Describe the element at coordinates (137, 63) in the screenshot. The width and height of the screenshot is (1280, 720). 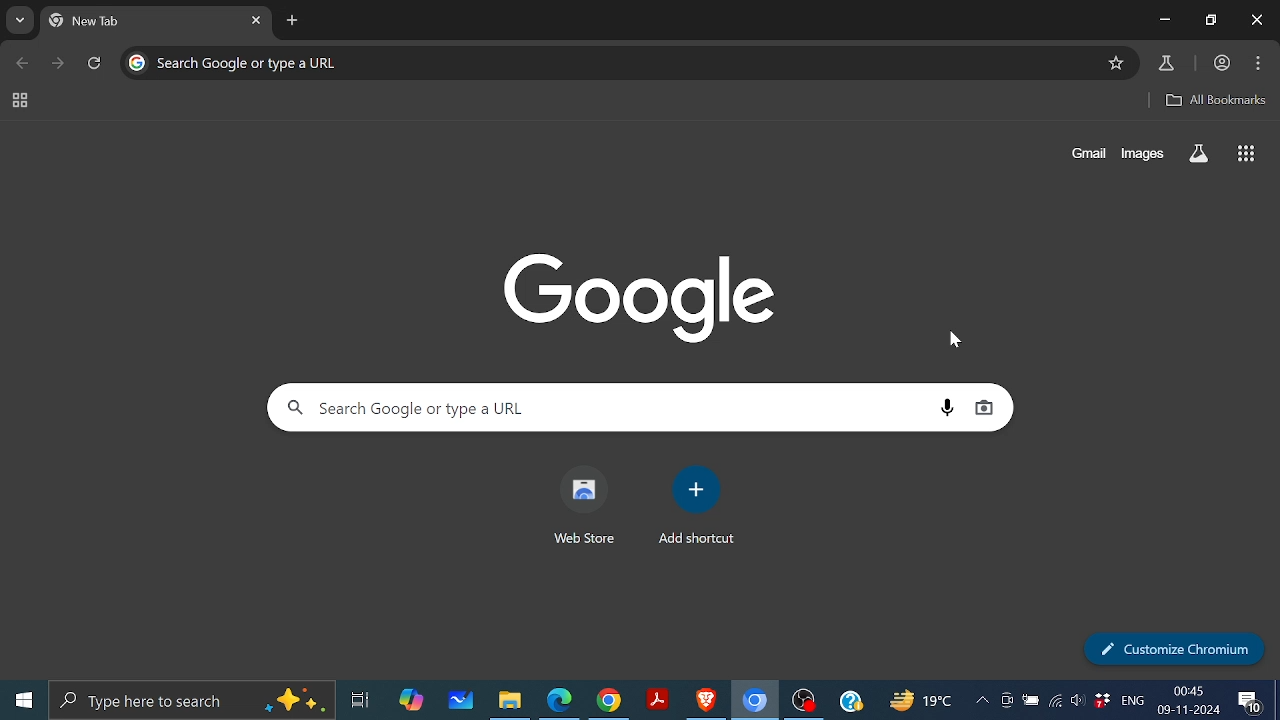
I see `Google logo` at that location.